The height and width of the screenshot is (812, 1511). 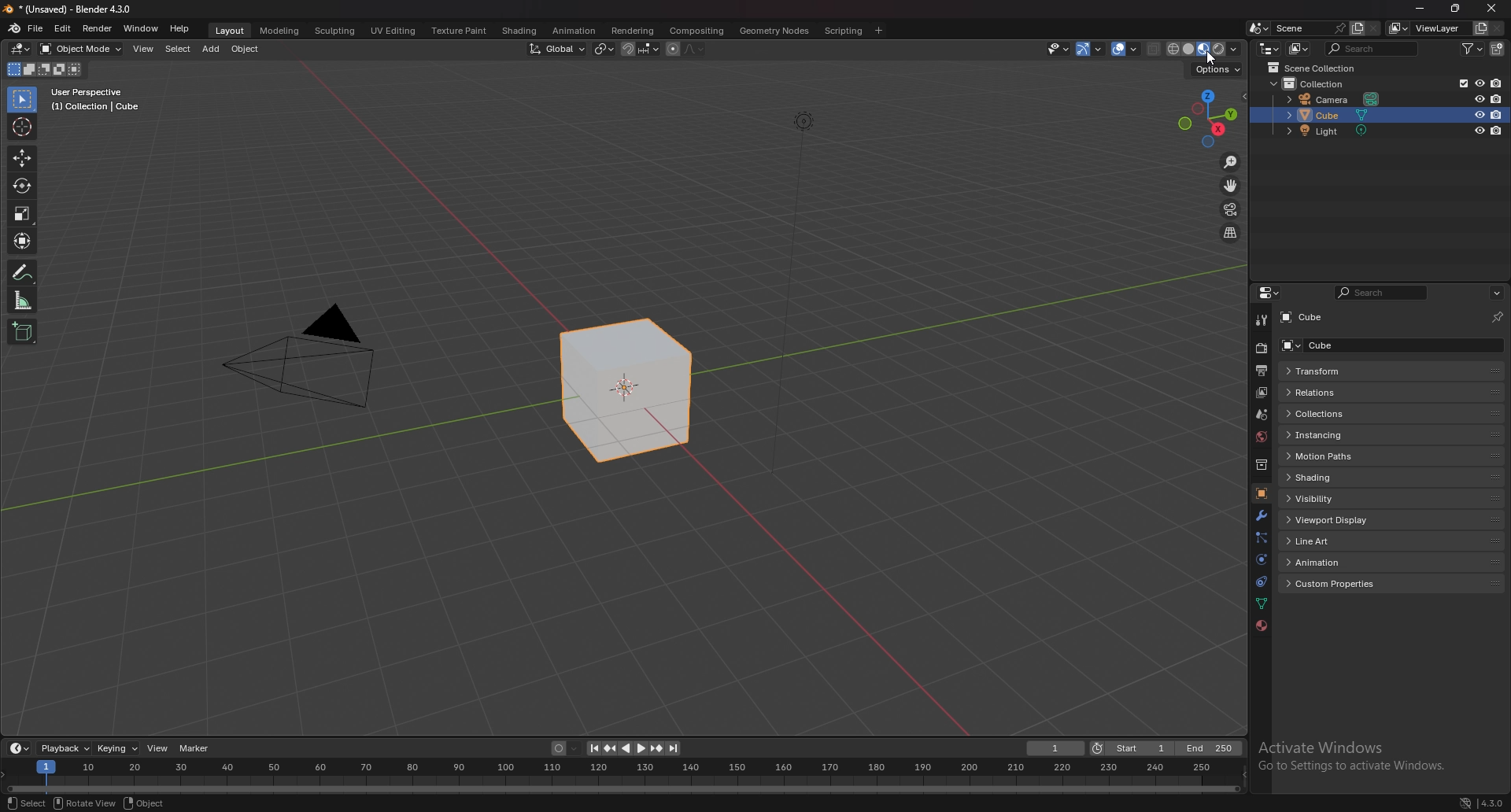 I want to click on blender, so click(x=14, y=28).